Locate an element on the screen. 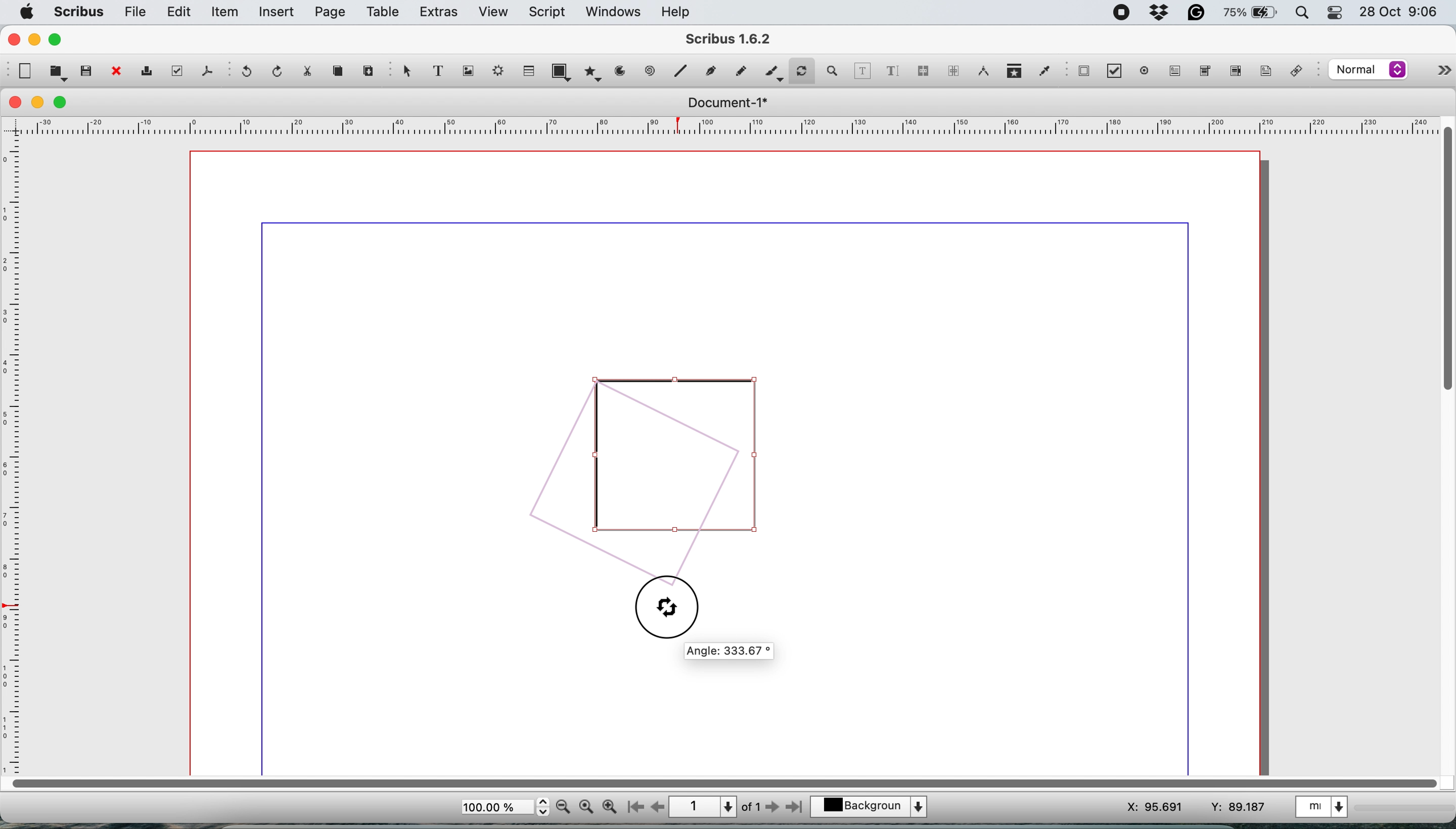 Image resolution: width=1456 pixels, height=829 pixels. save as pdf is located at coordinates (205, 71).